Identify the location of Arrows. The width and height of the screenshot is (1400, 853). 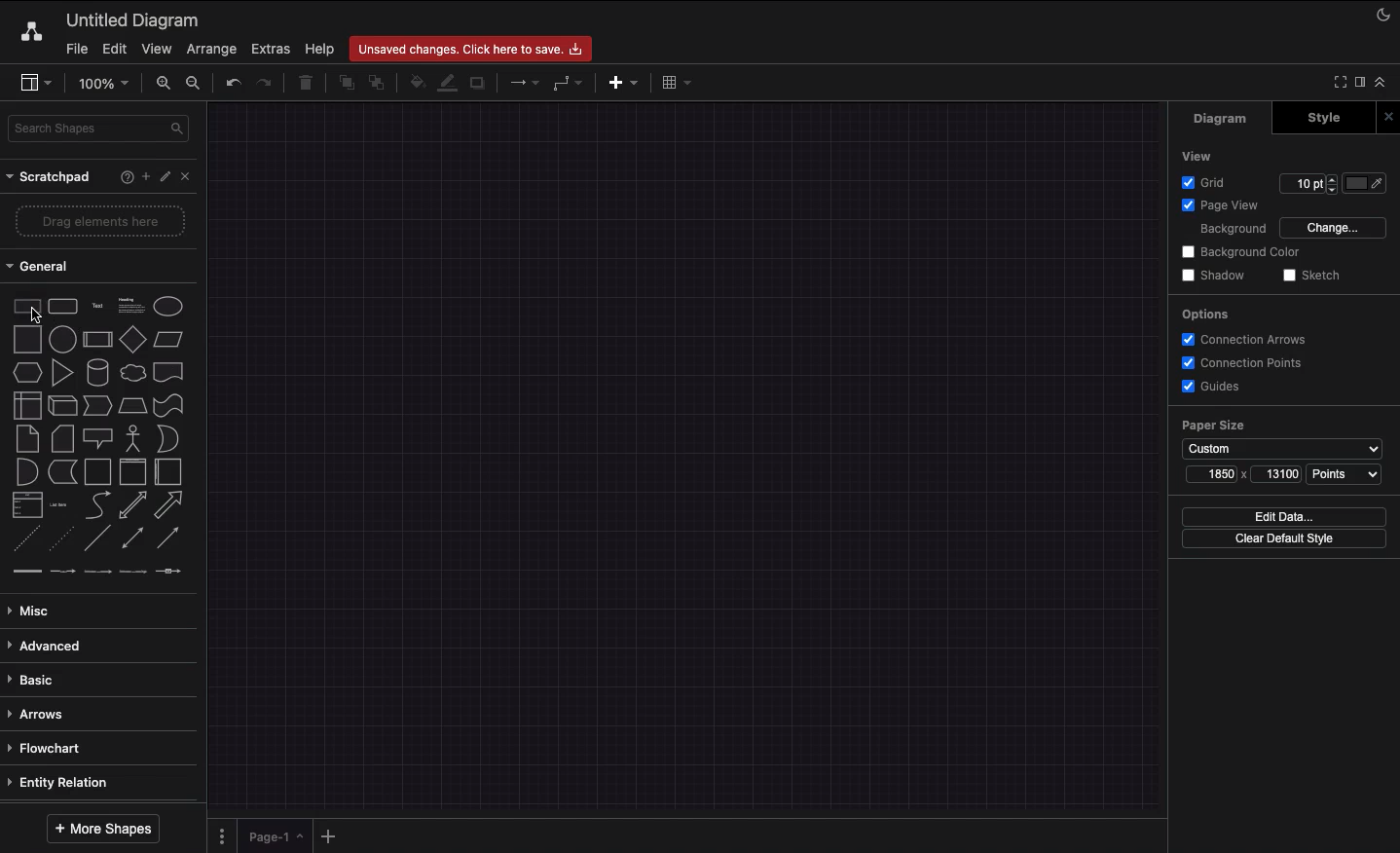
(48, 716).